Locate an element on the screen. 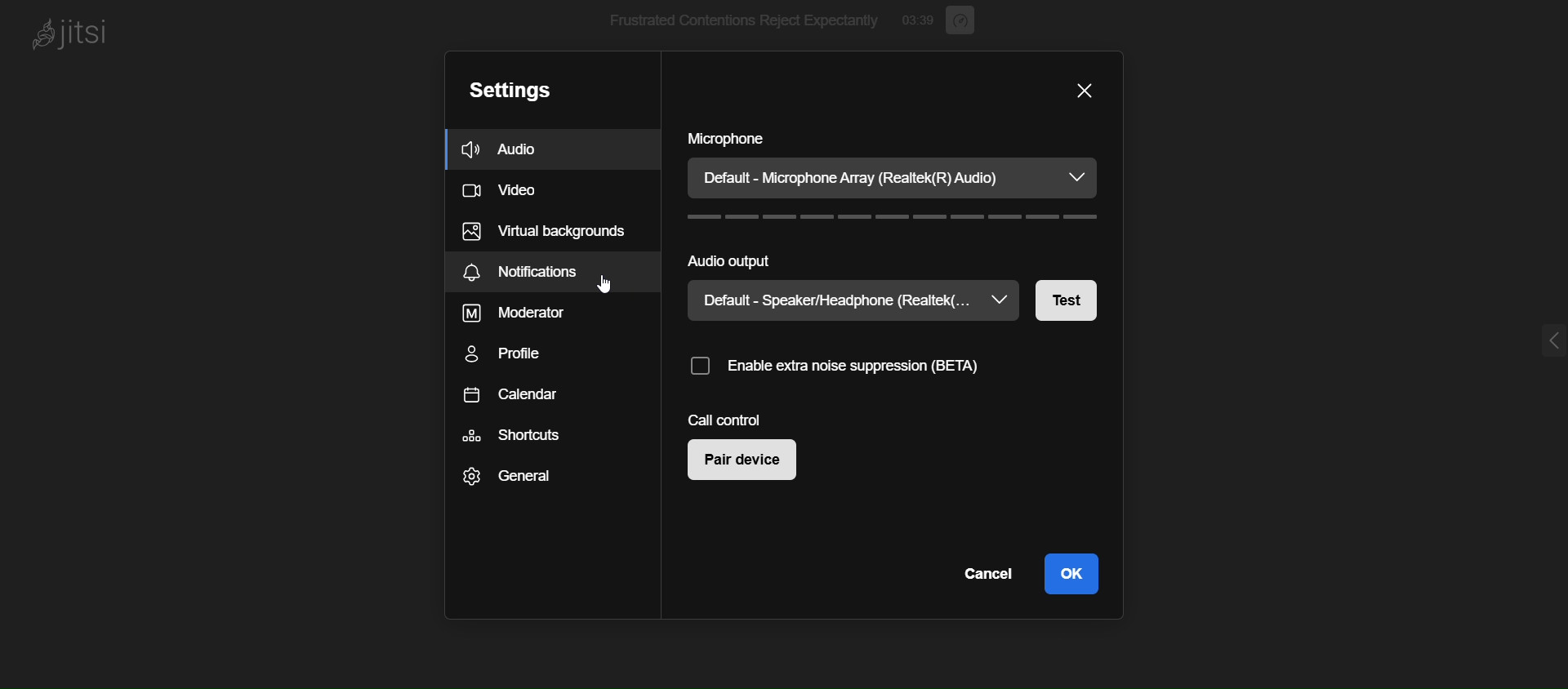 The width and height of the screenshot is (1568, 689). microphone is located at coordinates (737, 140).